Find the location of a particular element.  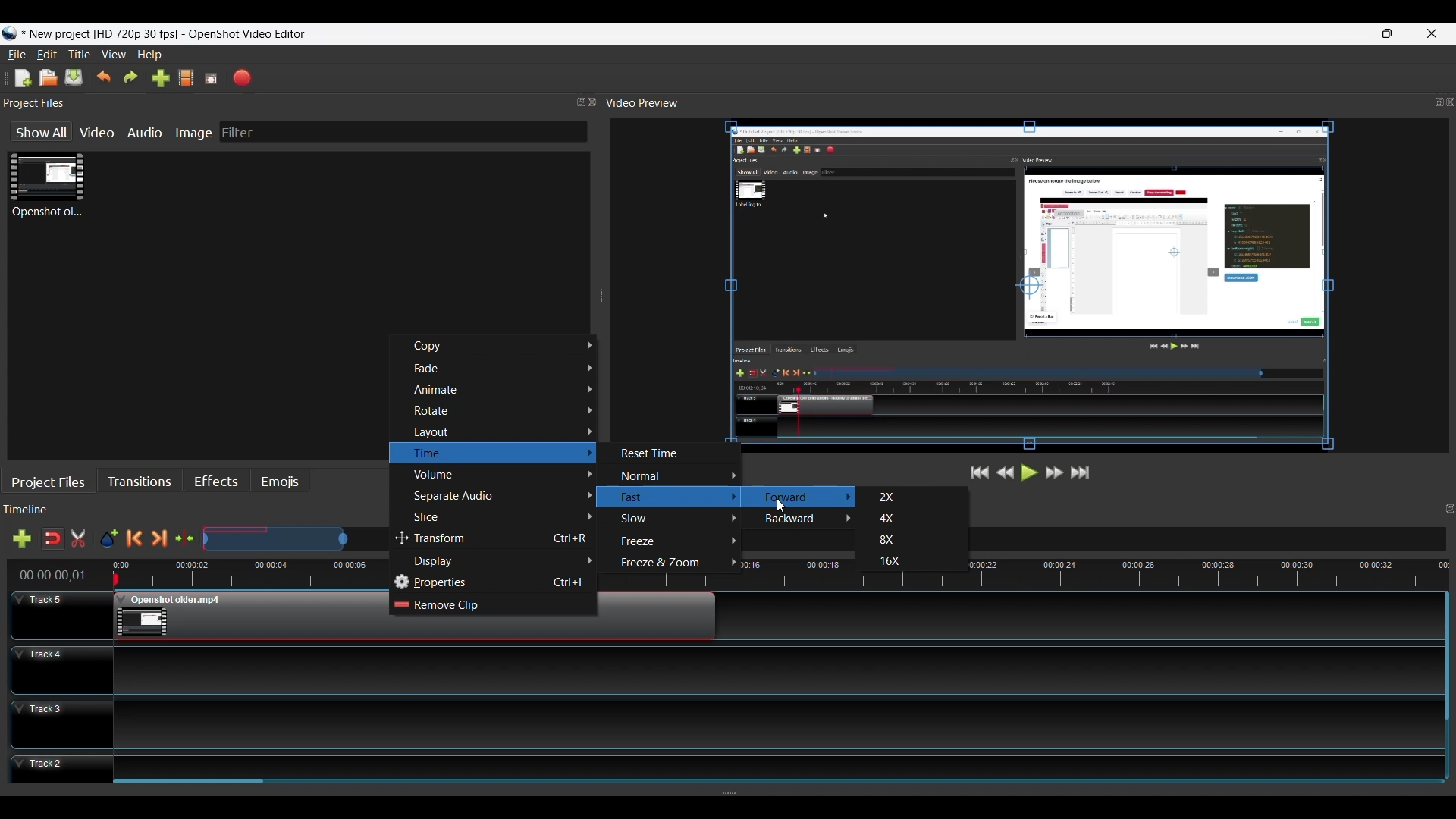

Vertical Scroll bar is located at coordinates (1446, 657).